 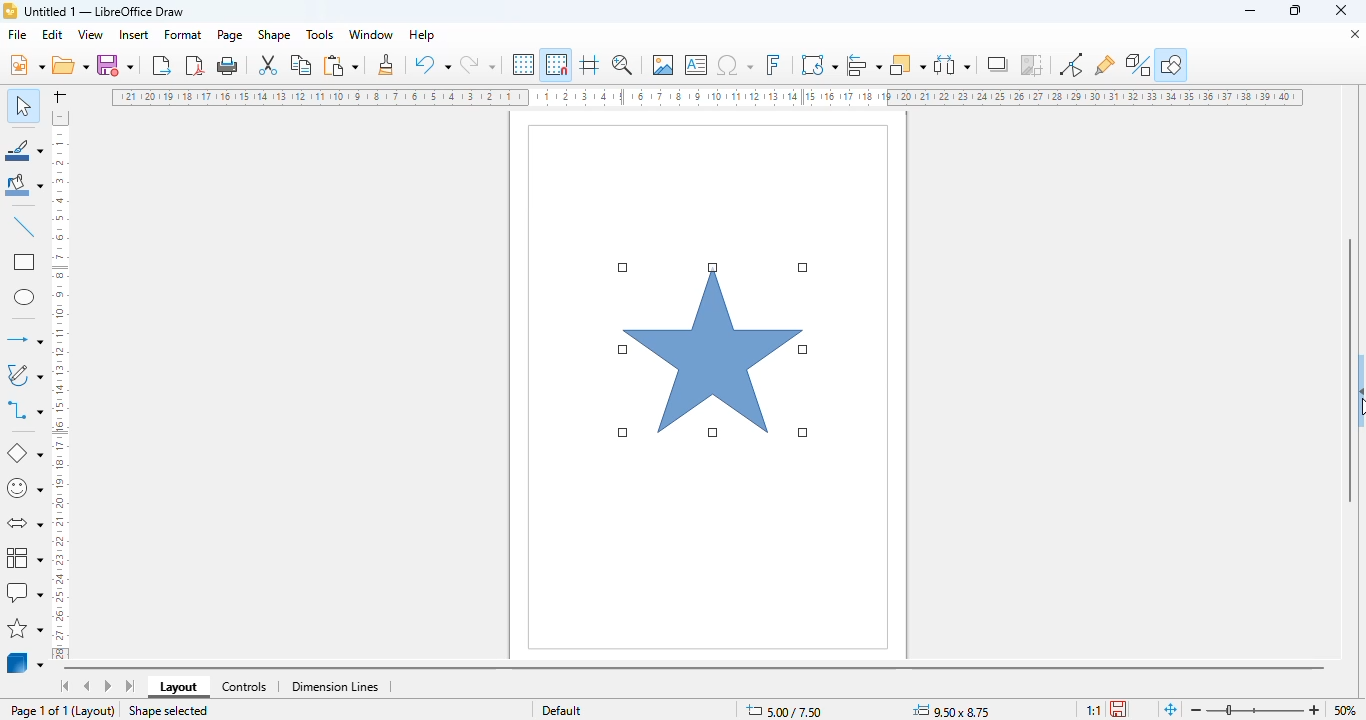 What do you see at coordinates (23, 376) in the screenshot?
I see `curves and polygons` at bounding box center [23, 376].